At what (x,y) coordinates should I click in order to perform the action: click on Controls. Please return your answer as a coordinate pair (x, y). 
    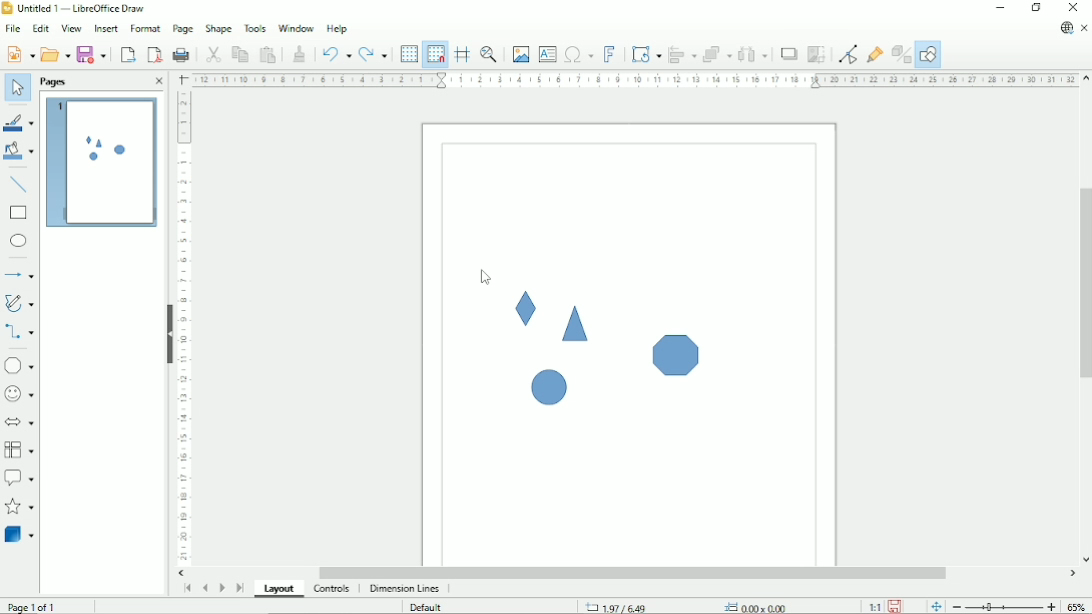
    Looking at the image, I should click on (332, 589).